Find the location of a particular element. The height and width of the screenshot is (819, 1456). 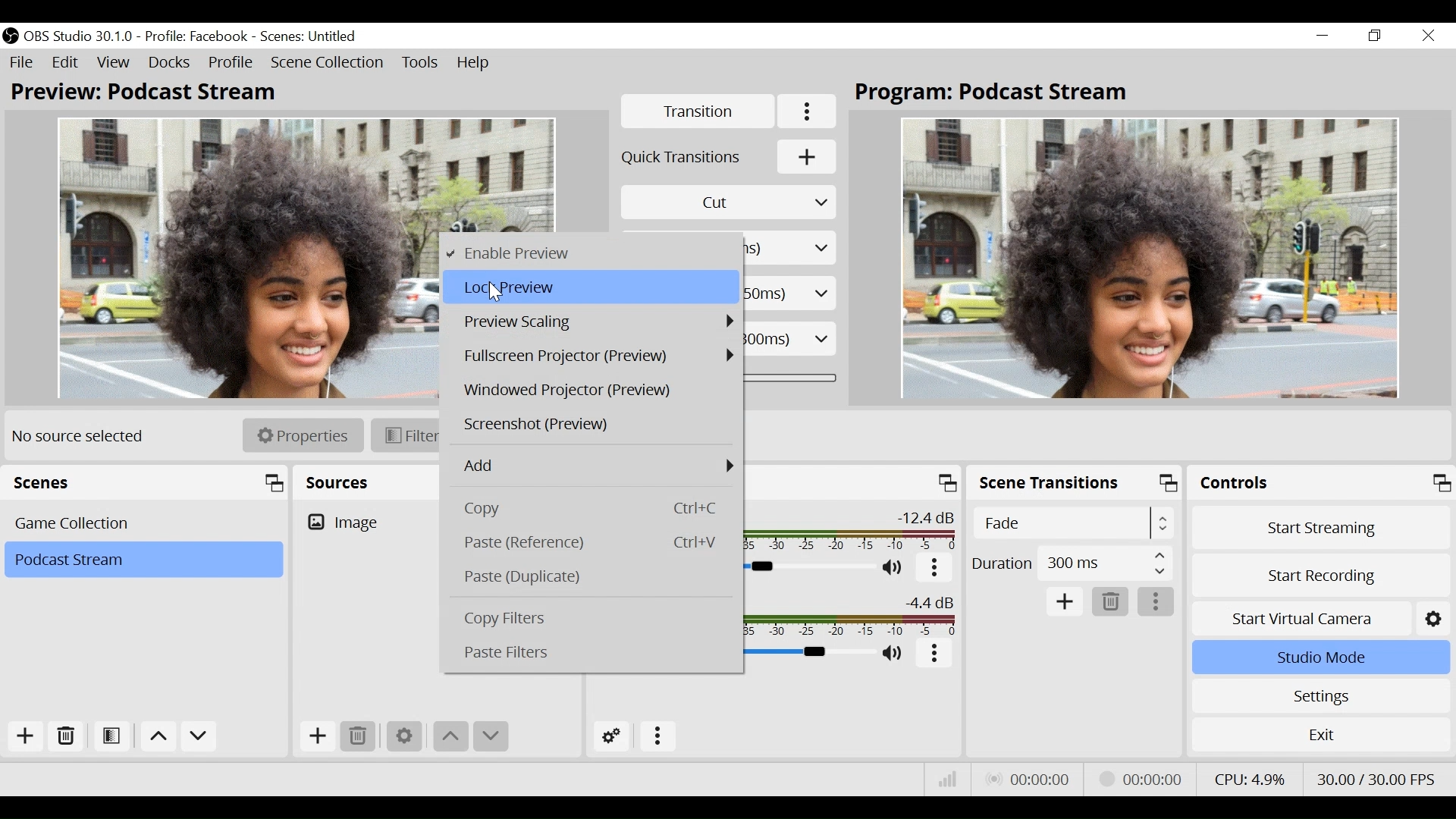

Restore is located at coordinates (1373, 36).